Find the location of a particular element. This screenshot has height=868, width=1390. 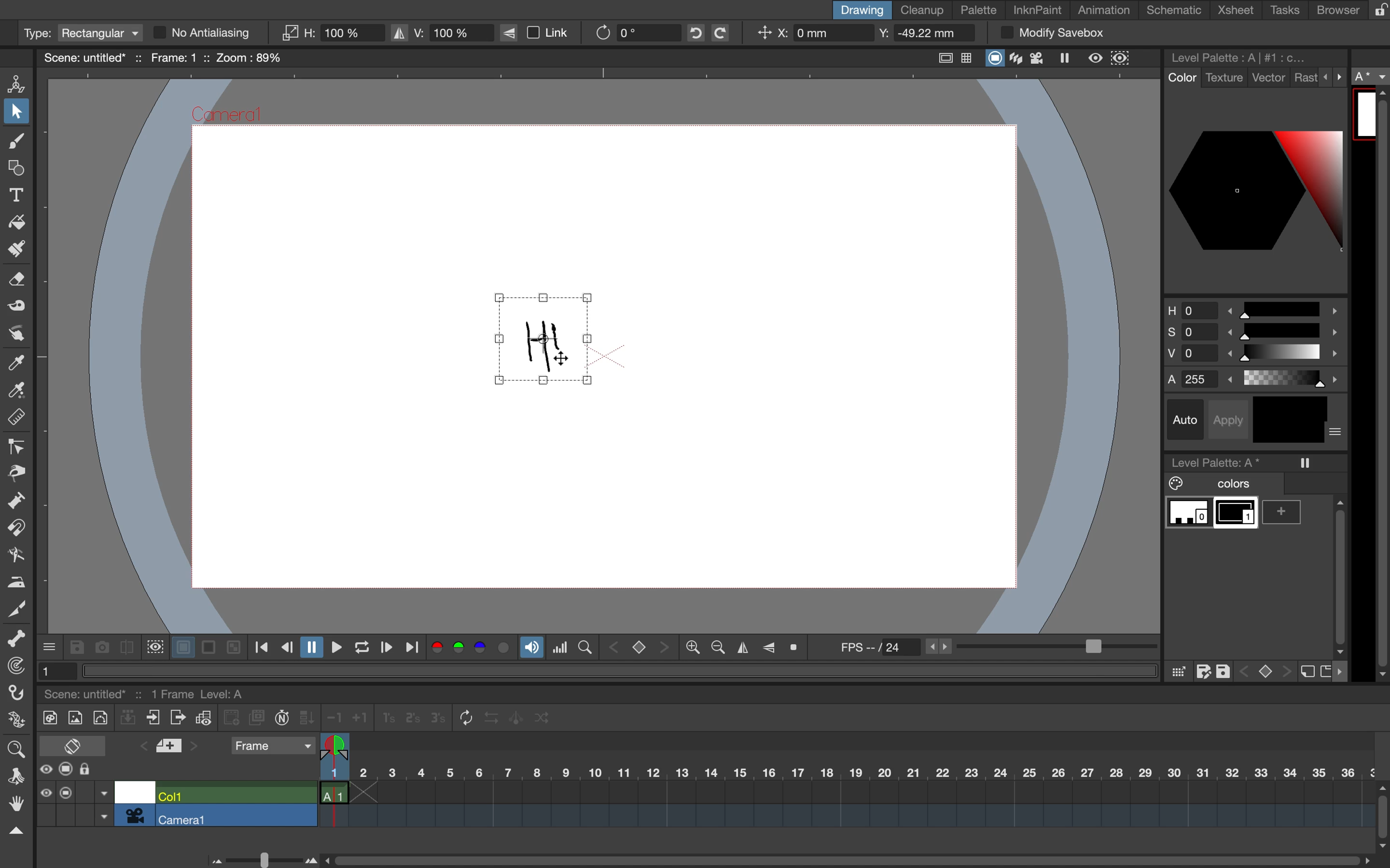

selection tool is located at coordinates (17, 114).